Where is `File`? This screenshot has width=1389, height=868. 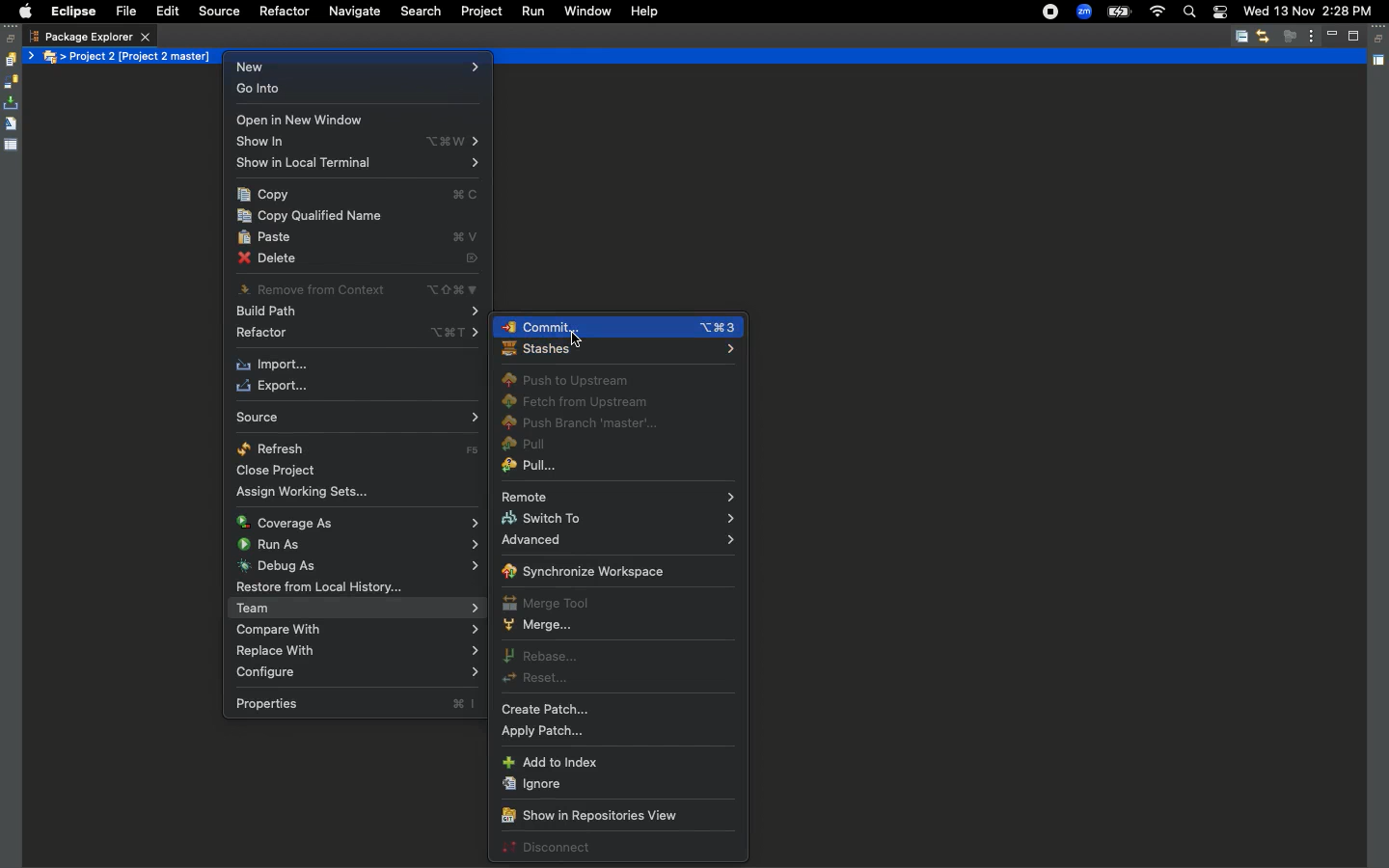 File is located at coordinates (124, 13).